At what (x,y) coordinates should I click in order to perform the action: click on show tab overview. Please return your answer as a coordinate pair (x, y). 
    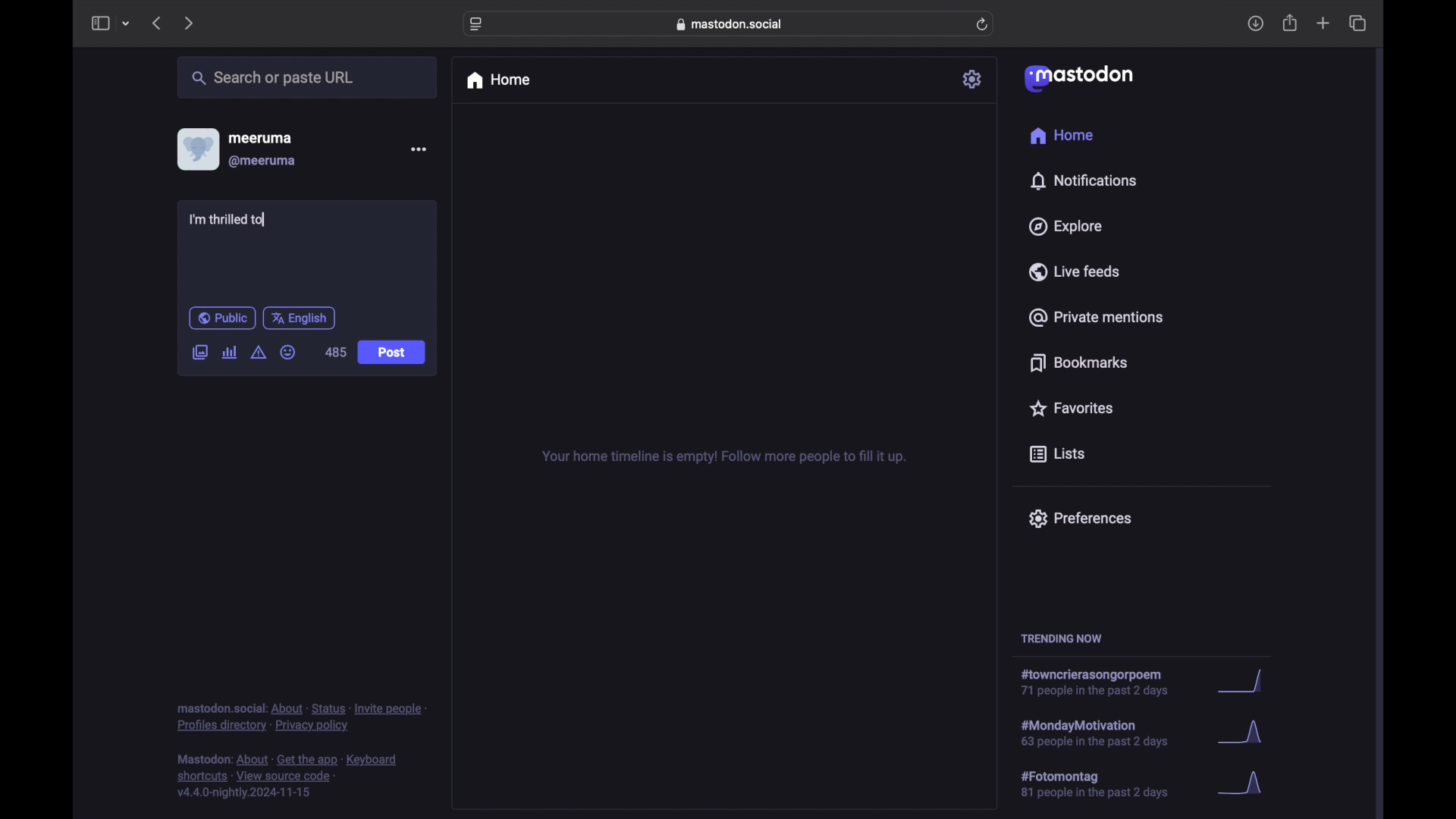
    Looking at the image, I should click on (1359, 23).